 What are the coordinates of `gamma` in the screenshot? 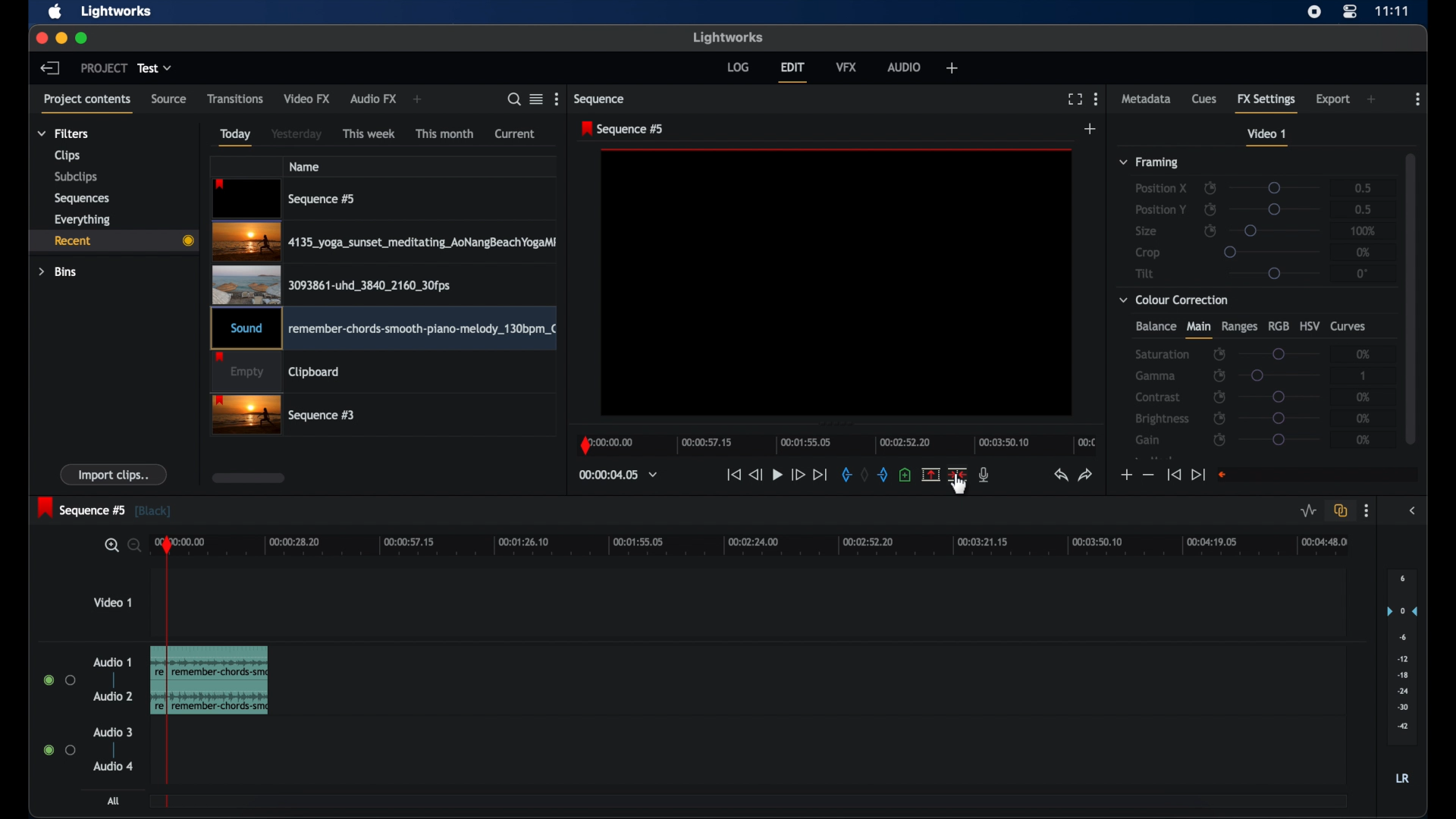 It's located at (1156, 376).